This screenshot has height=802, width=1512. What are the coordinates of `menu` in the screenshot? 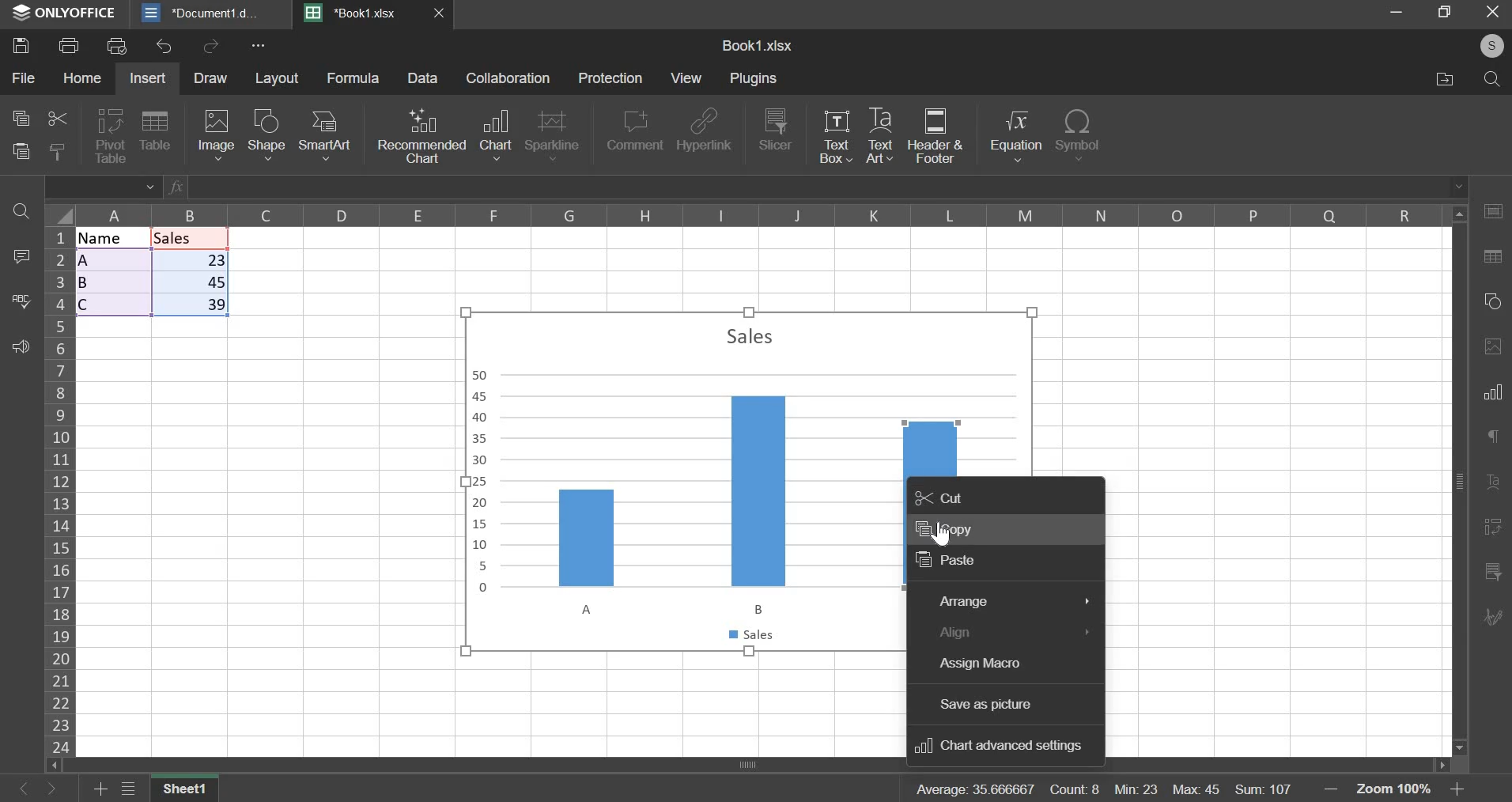 It's located at (127, 790).